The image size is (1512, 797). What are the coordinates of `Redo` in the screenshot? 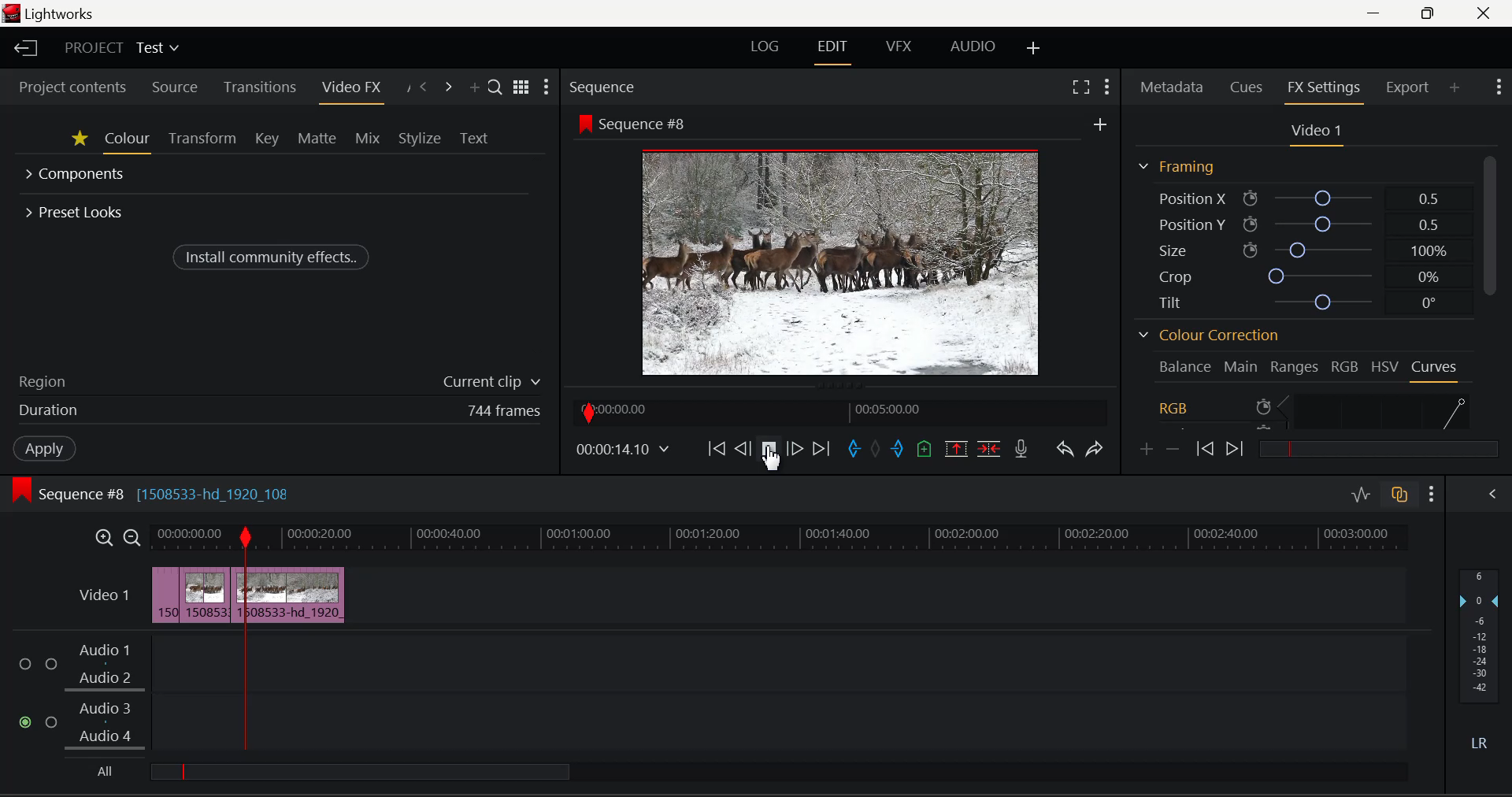 It's located at (1092, 449).